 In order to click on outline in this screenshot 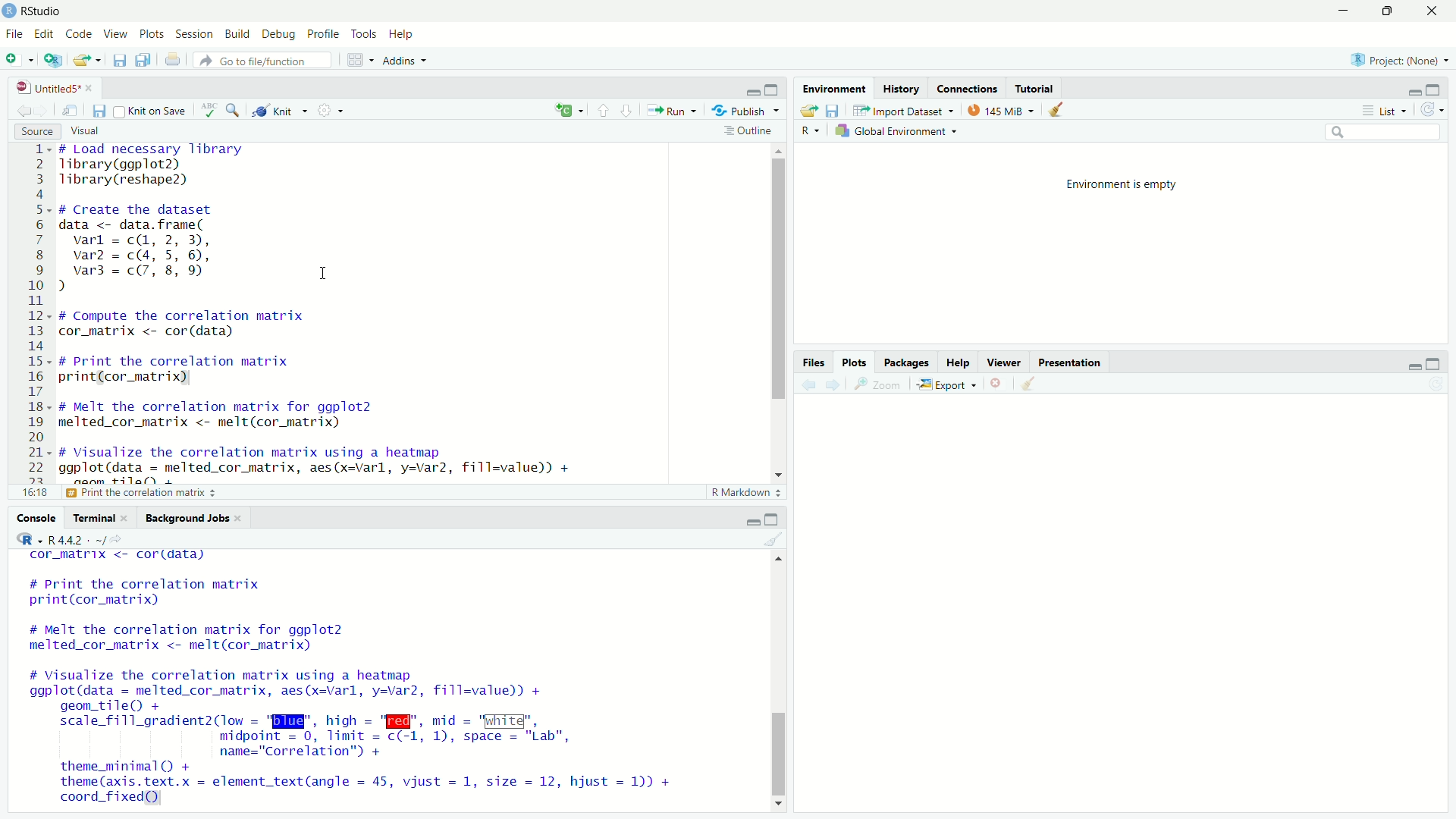, I will do `click(752, 131)`.